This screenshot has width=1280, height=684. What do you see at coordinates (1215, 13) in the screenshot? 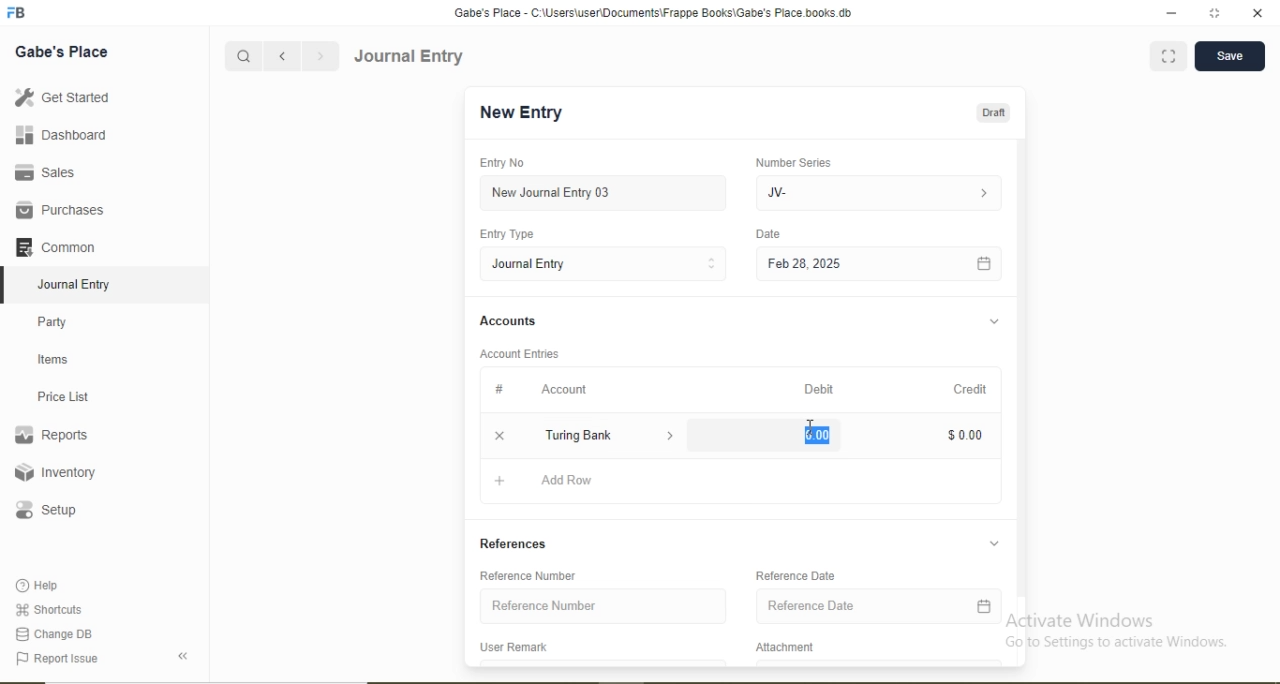
I see `full screen` at bounding box center [1215, 13].